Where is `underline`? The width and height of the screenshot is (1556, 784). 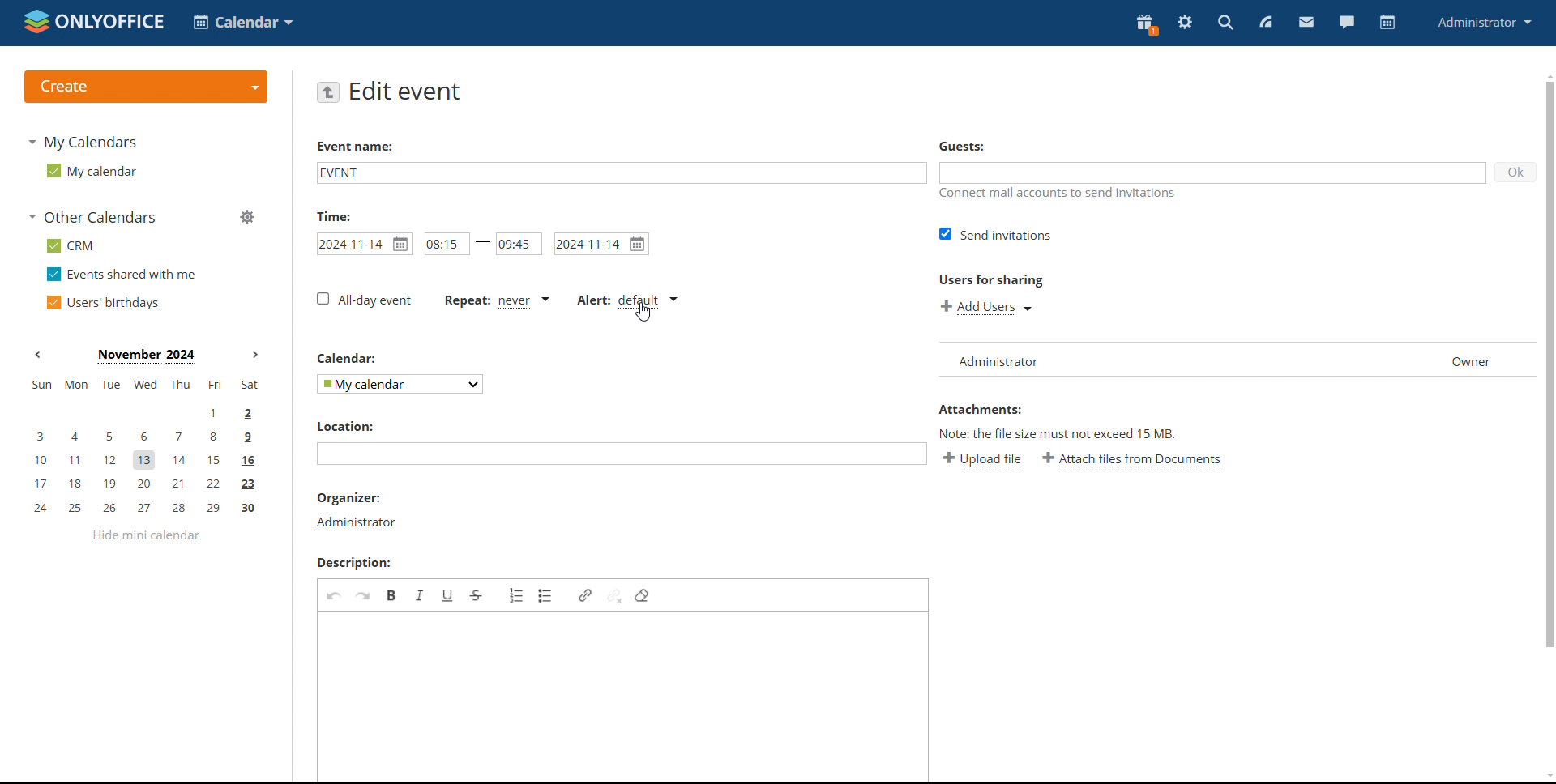 underline is located at coordinates (448, 594).